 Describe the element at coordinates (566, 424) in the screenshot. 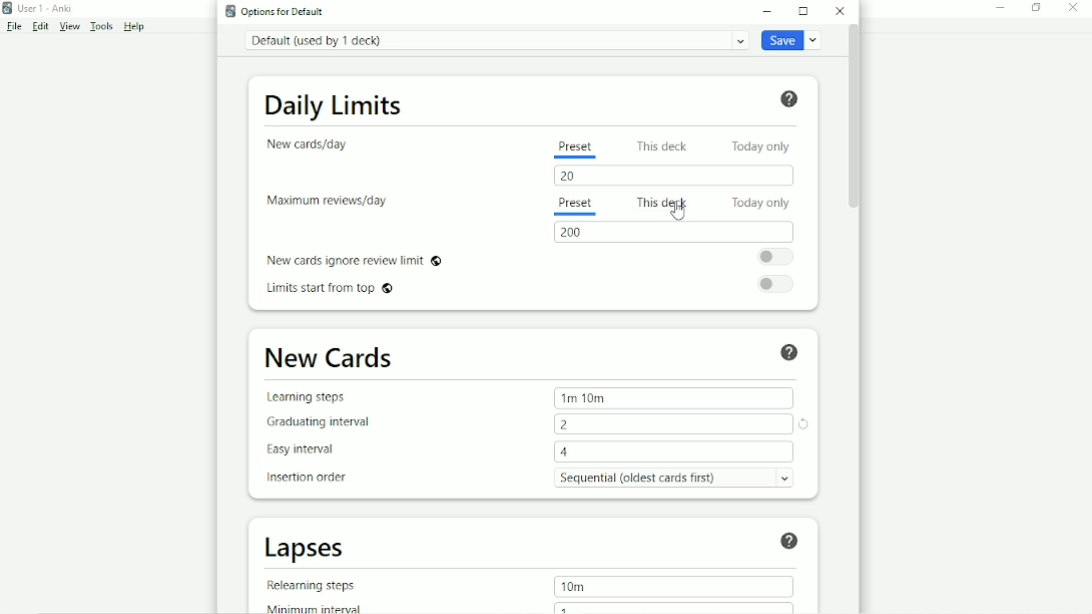

I see `2` at that location.